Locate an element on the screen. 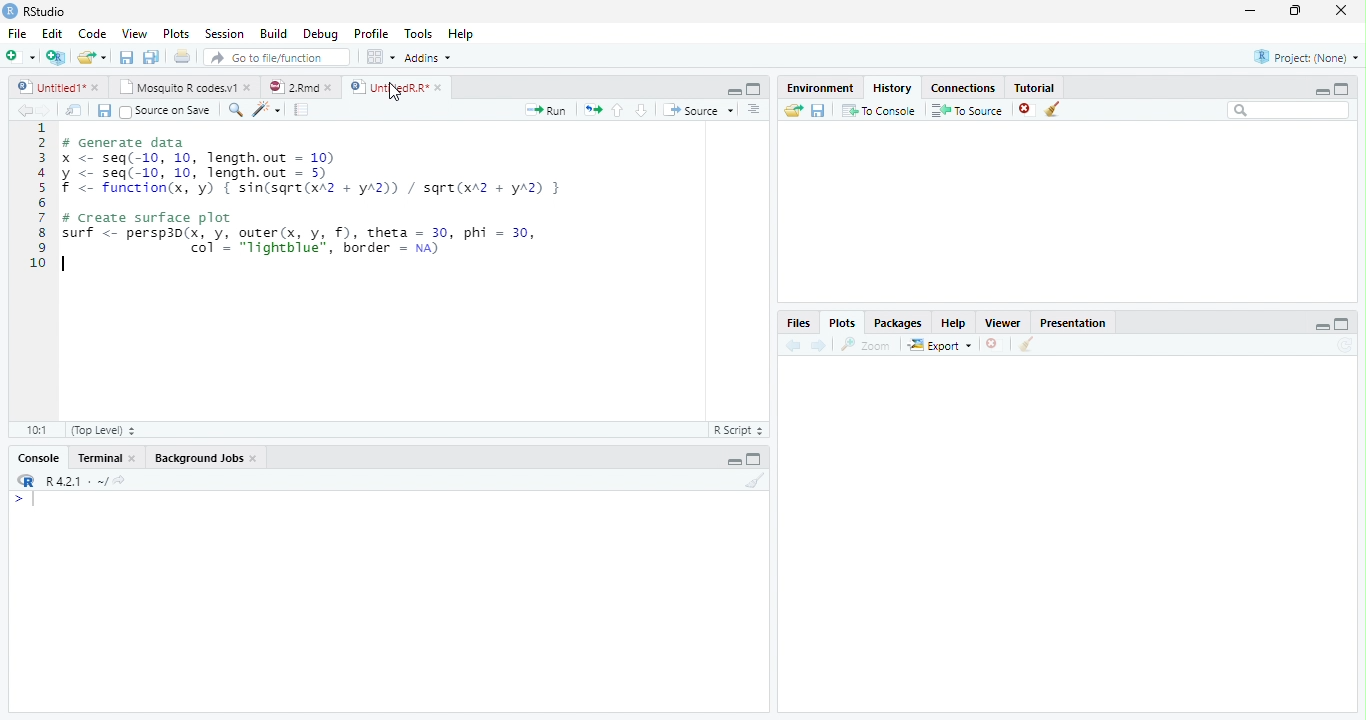 This screenshot has height=720, width=1366. Help is located at coordinates (460, 33).